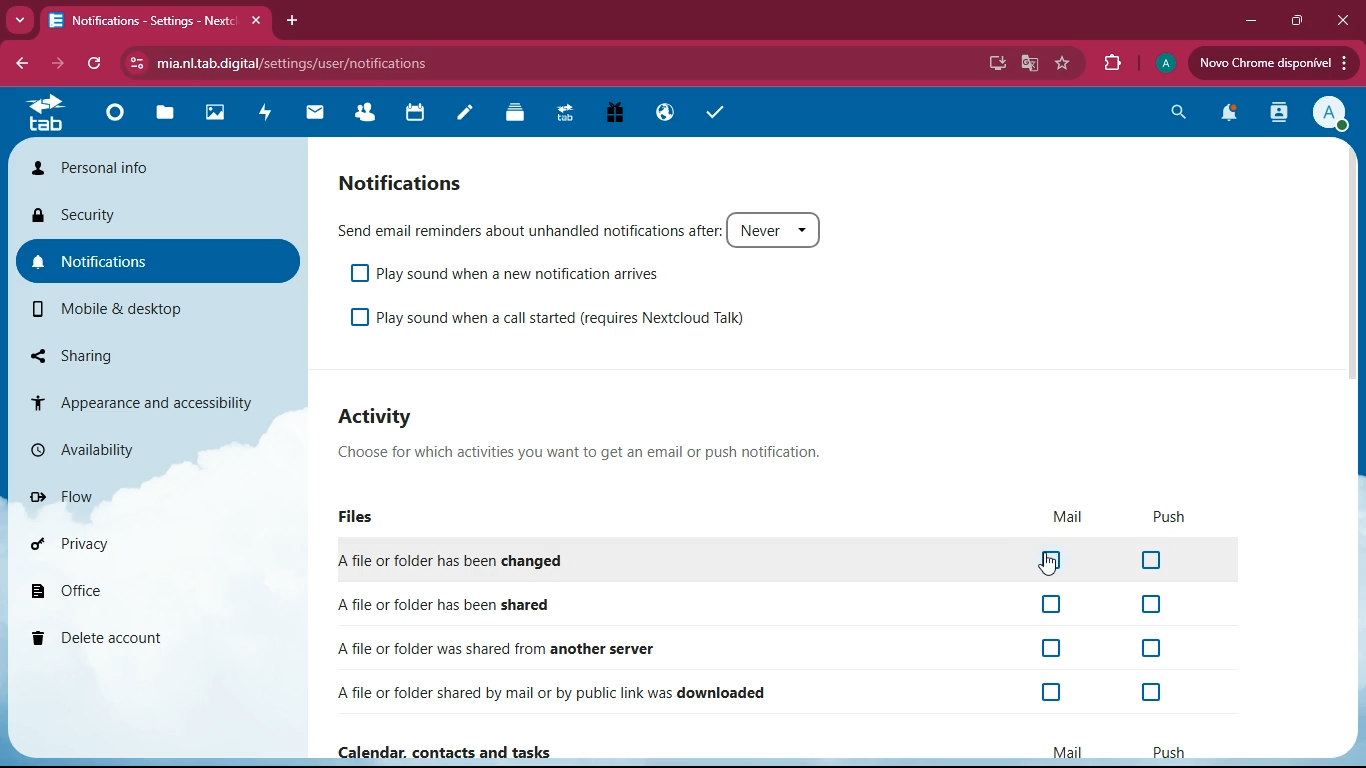 This screenshot has width=1366, height=768. I want to click on calendar, so click(415, 115).